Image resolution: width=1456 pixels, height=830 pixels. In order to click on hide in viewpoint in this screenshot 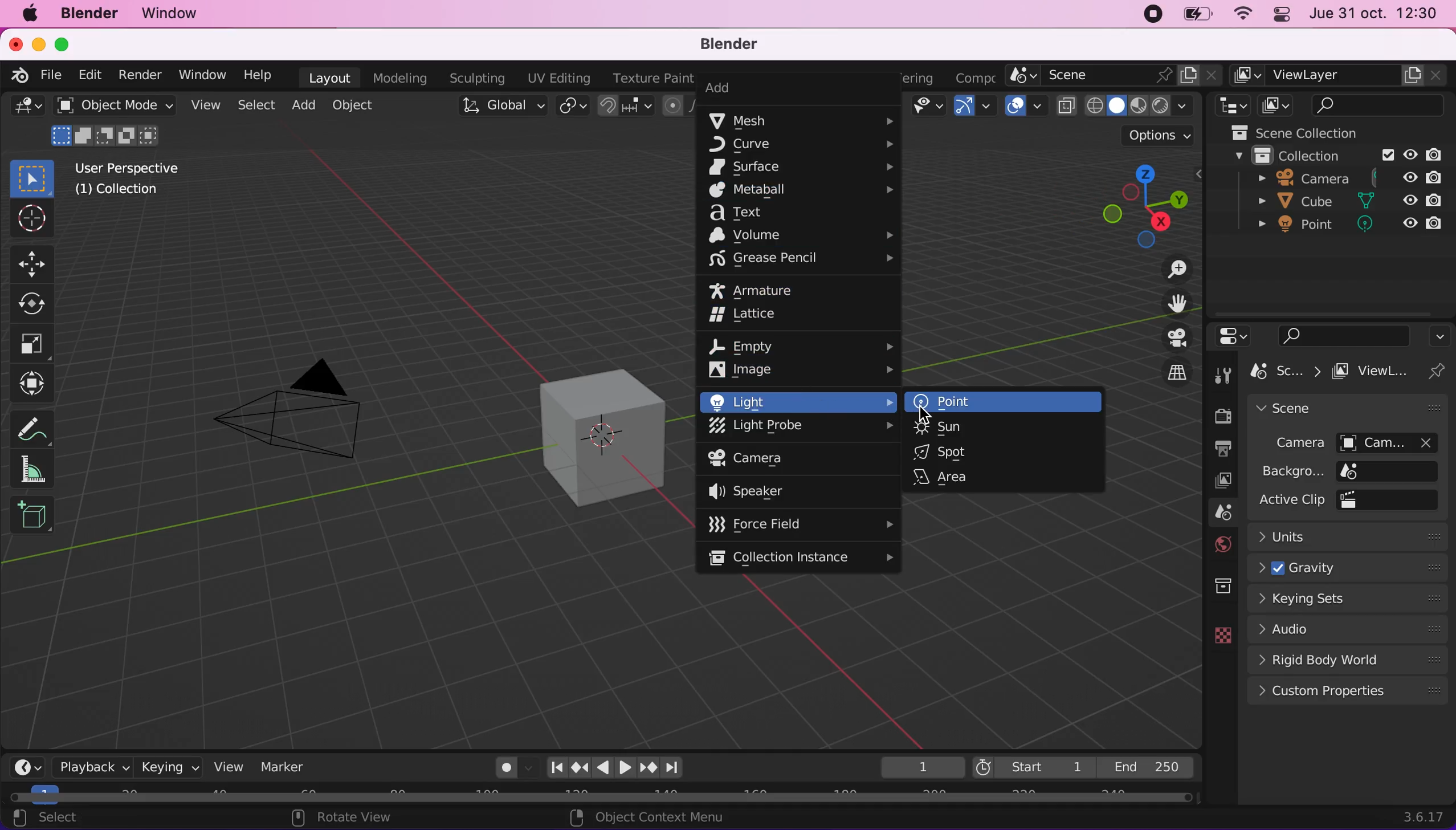, I will do `click(1410, 200)`.